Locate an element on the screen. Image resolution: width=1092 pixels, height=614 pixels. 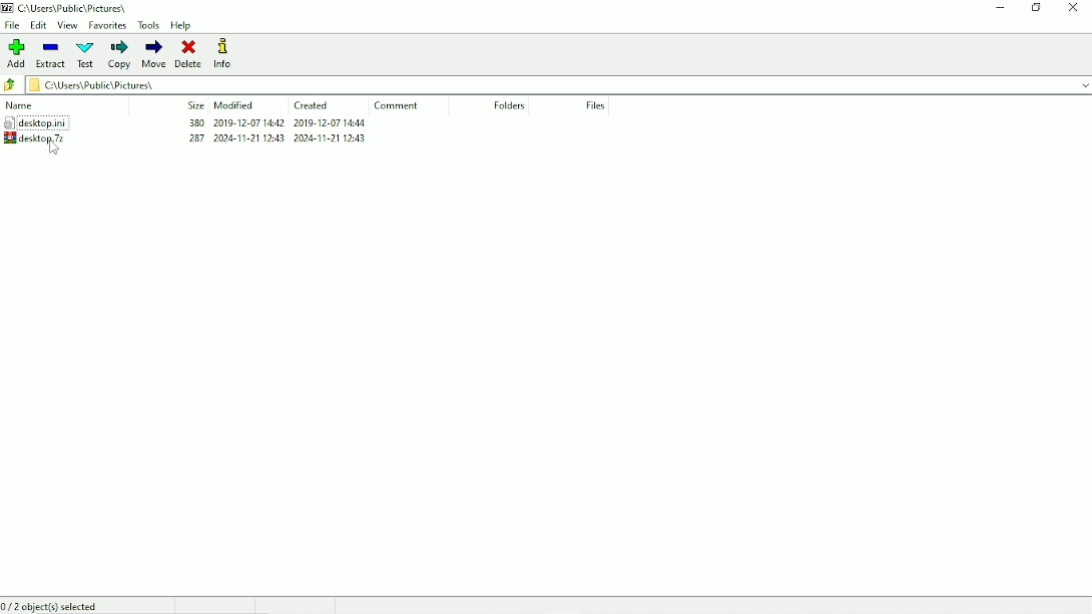
Minimize is located at coordinates (1003, 8).